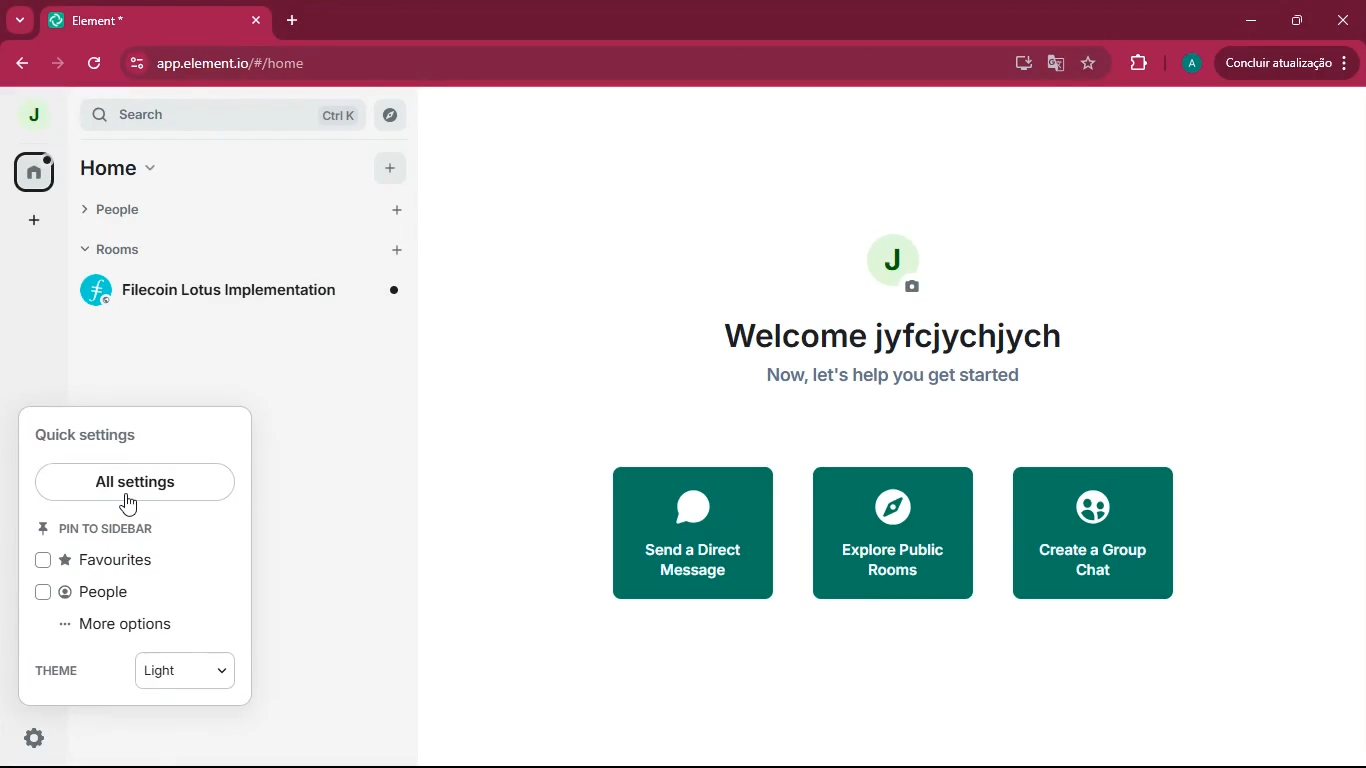 The height and width of the screenshot is (768, 1366). I want to click on close, so click(1340, 19).